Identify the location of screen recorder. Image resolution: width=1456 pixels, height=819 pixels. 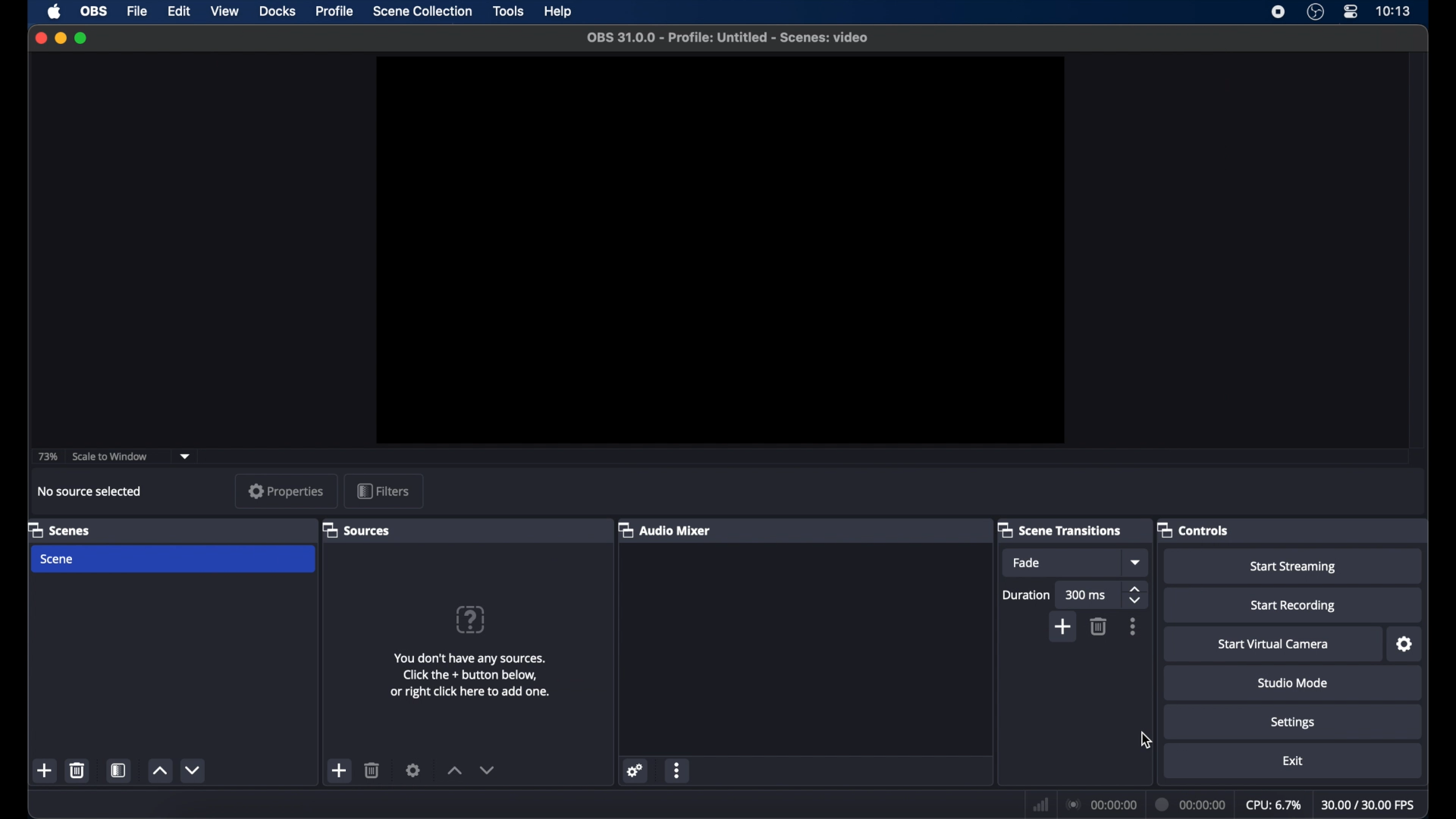
(1277, 12).